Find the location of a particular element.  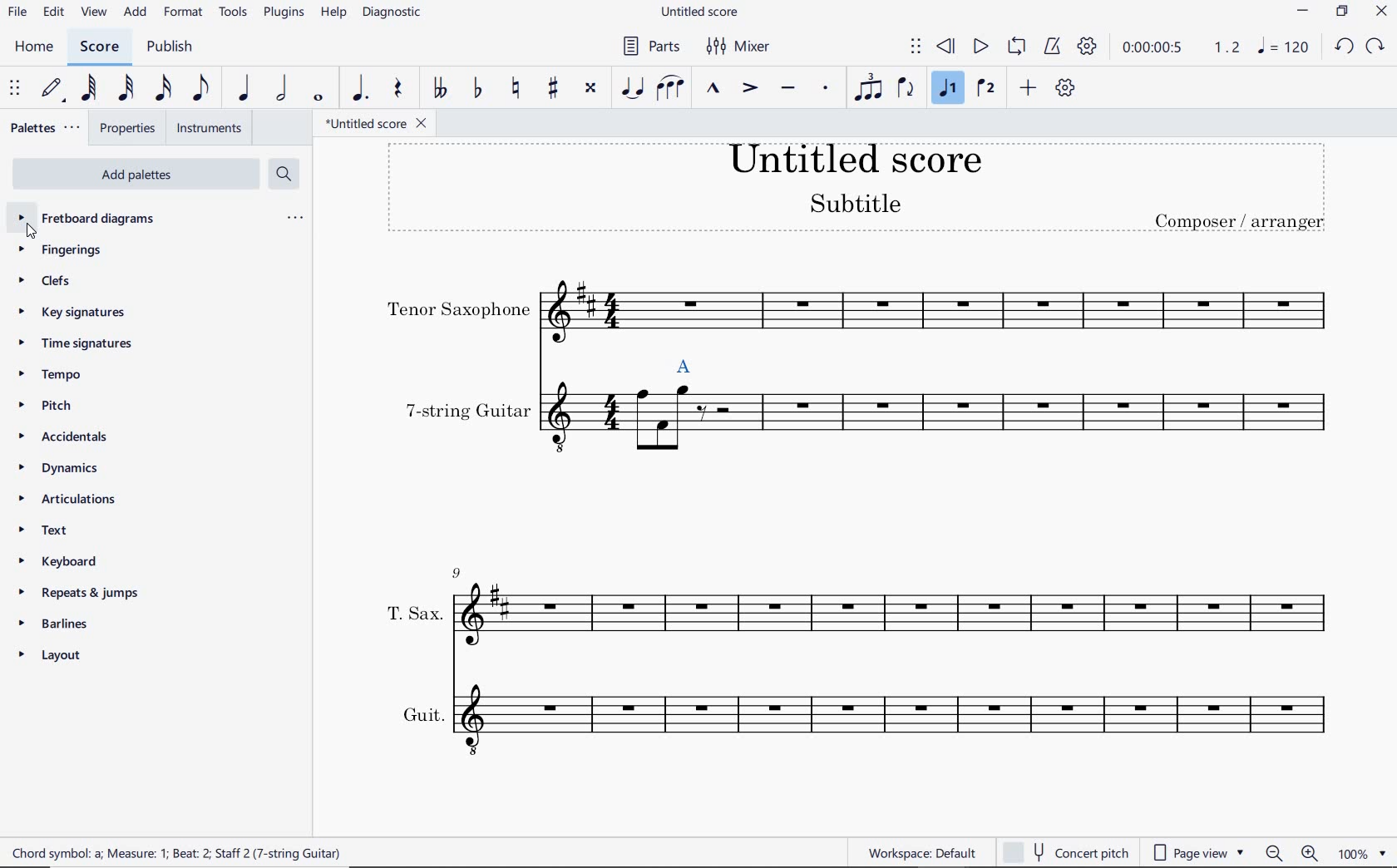

selected chord is located at coordinates (685, 363).